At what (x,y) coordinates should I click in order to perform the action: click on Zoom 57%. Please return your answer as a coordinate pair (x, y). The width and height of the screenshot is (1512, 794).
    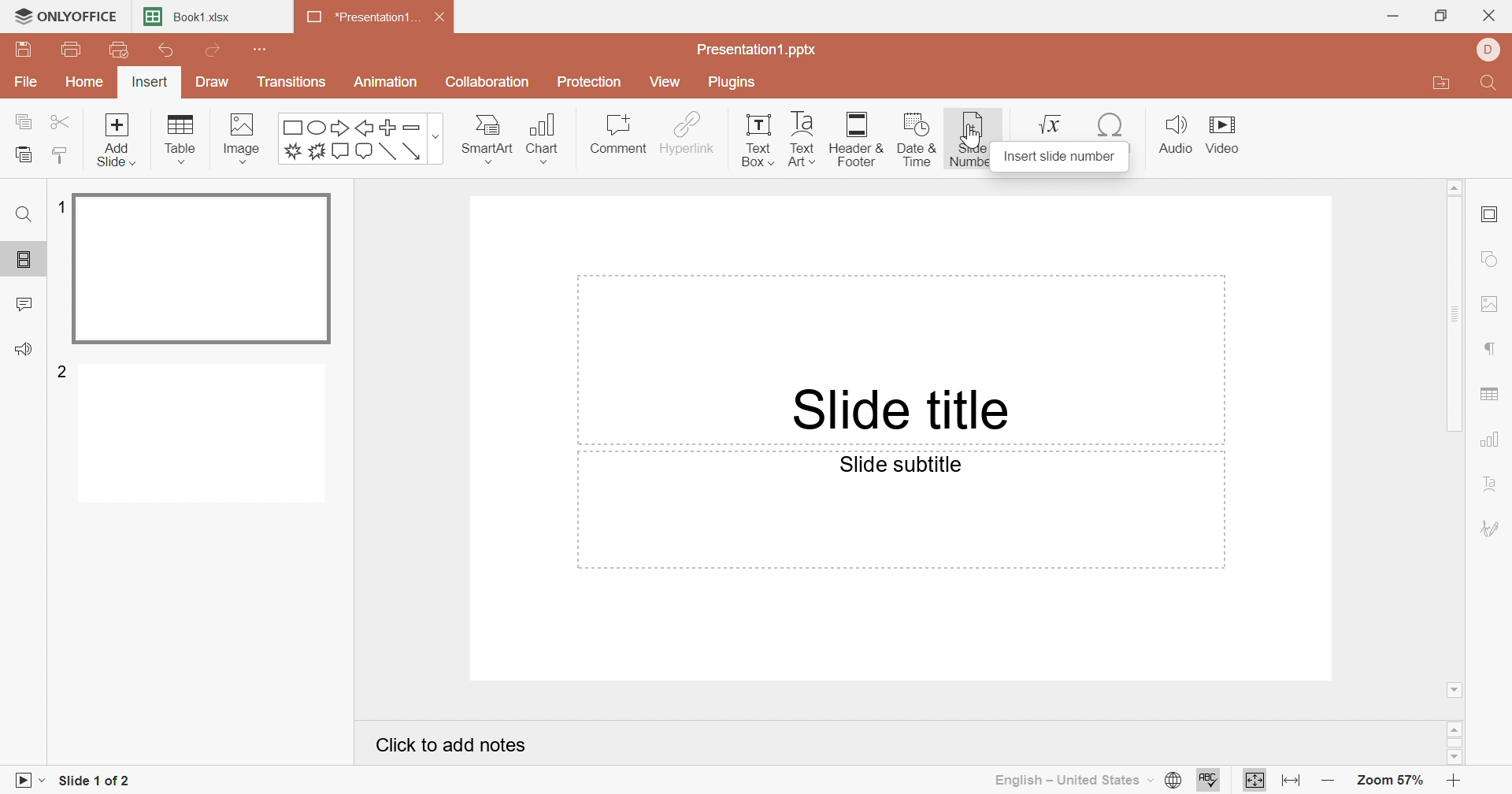
    Looking at the image, I should click on (1392, 783).